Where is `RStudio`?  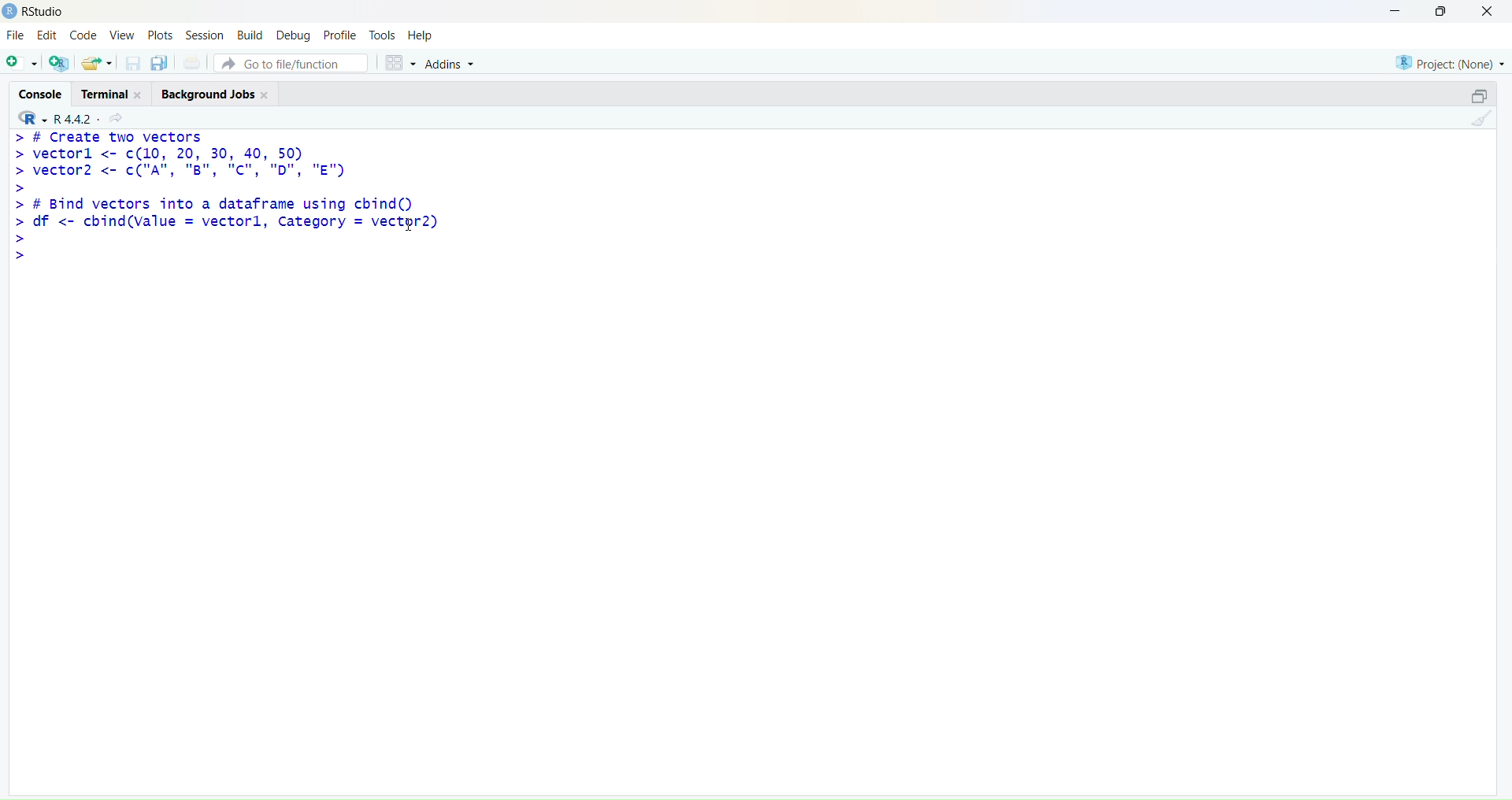 RStudio is located at coordinates (43, 12).